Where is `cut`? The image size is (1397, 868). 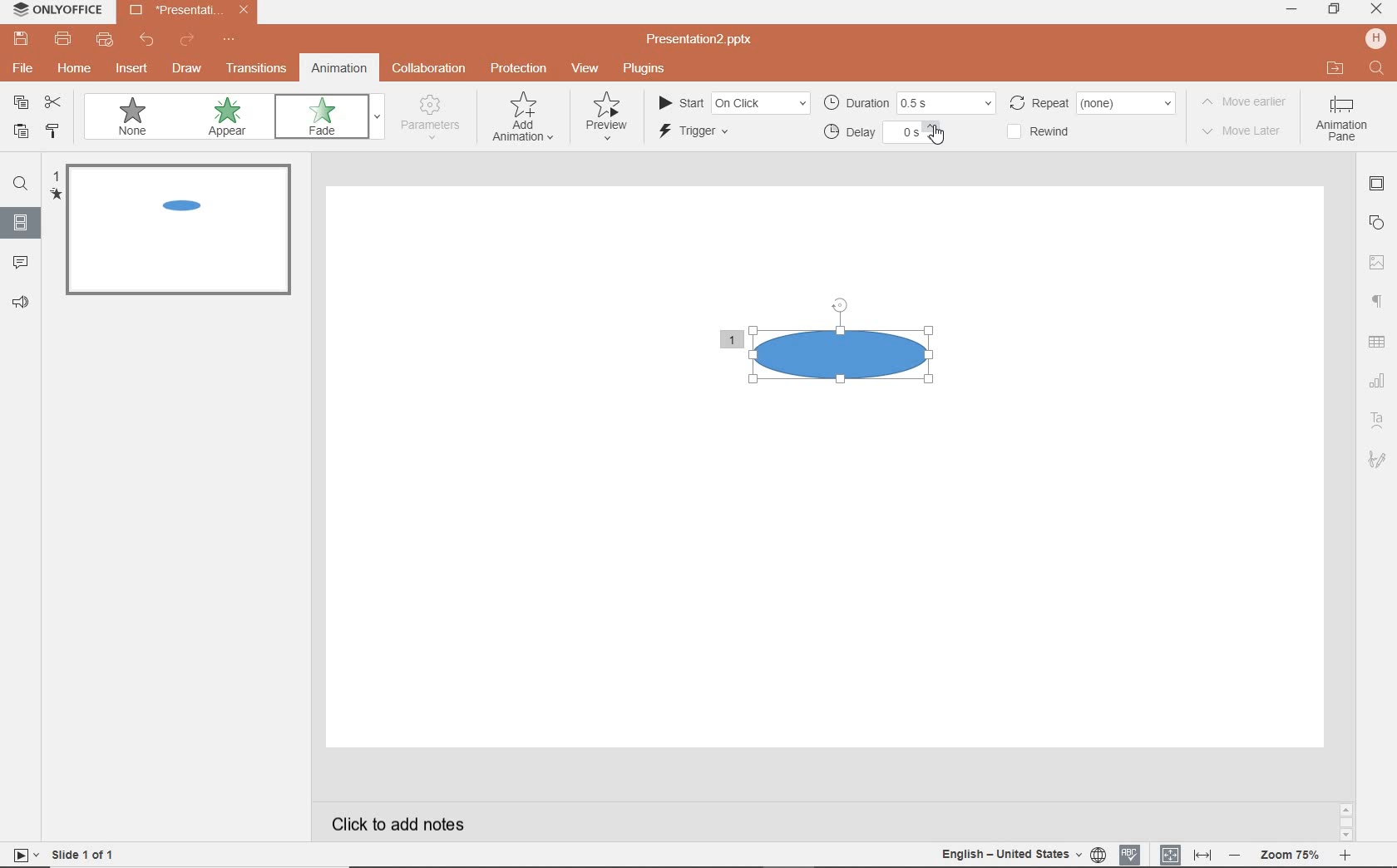
cut is located at coordinates (52, 103).